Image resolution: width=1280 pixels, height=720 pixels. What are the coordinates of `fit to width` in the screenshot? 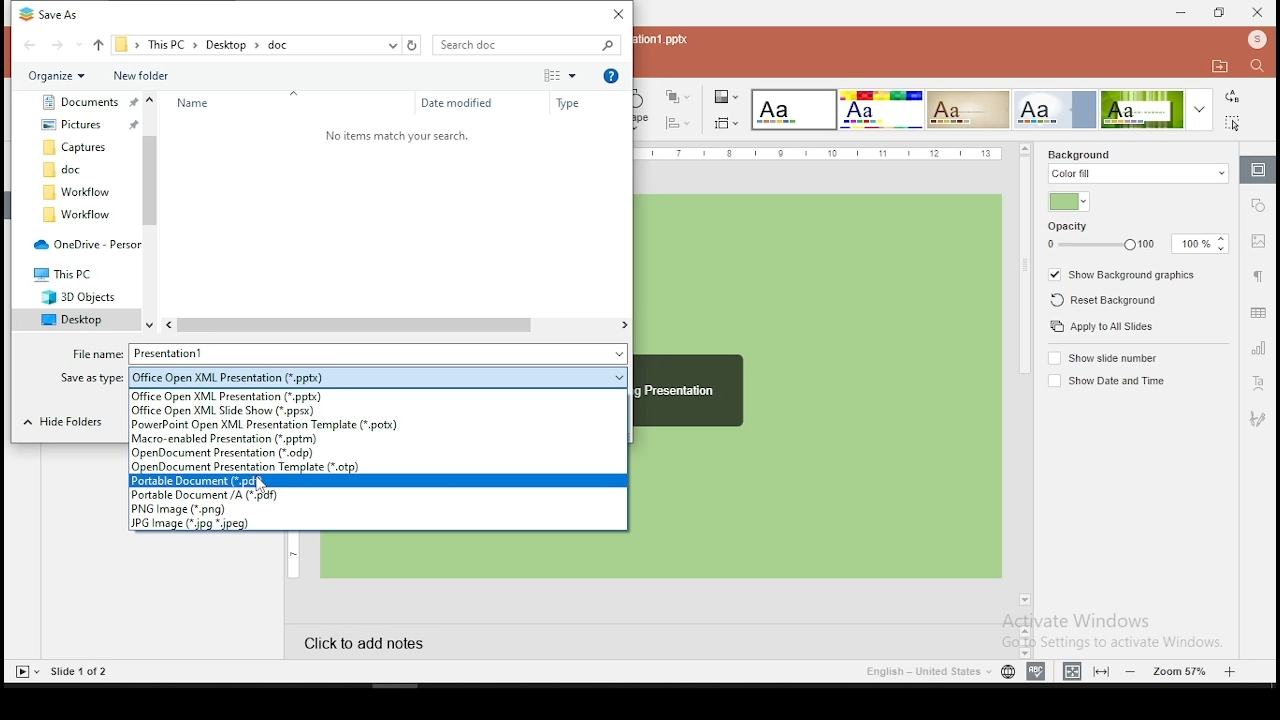 It's located at (1104, 669).